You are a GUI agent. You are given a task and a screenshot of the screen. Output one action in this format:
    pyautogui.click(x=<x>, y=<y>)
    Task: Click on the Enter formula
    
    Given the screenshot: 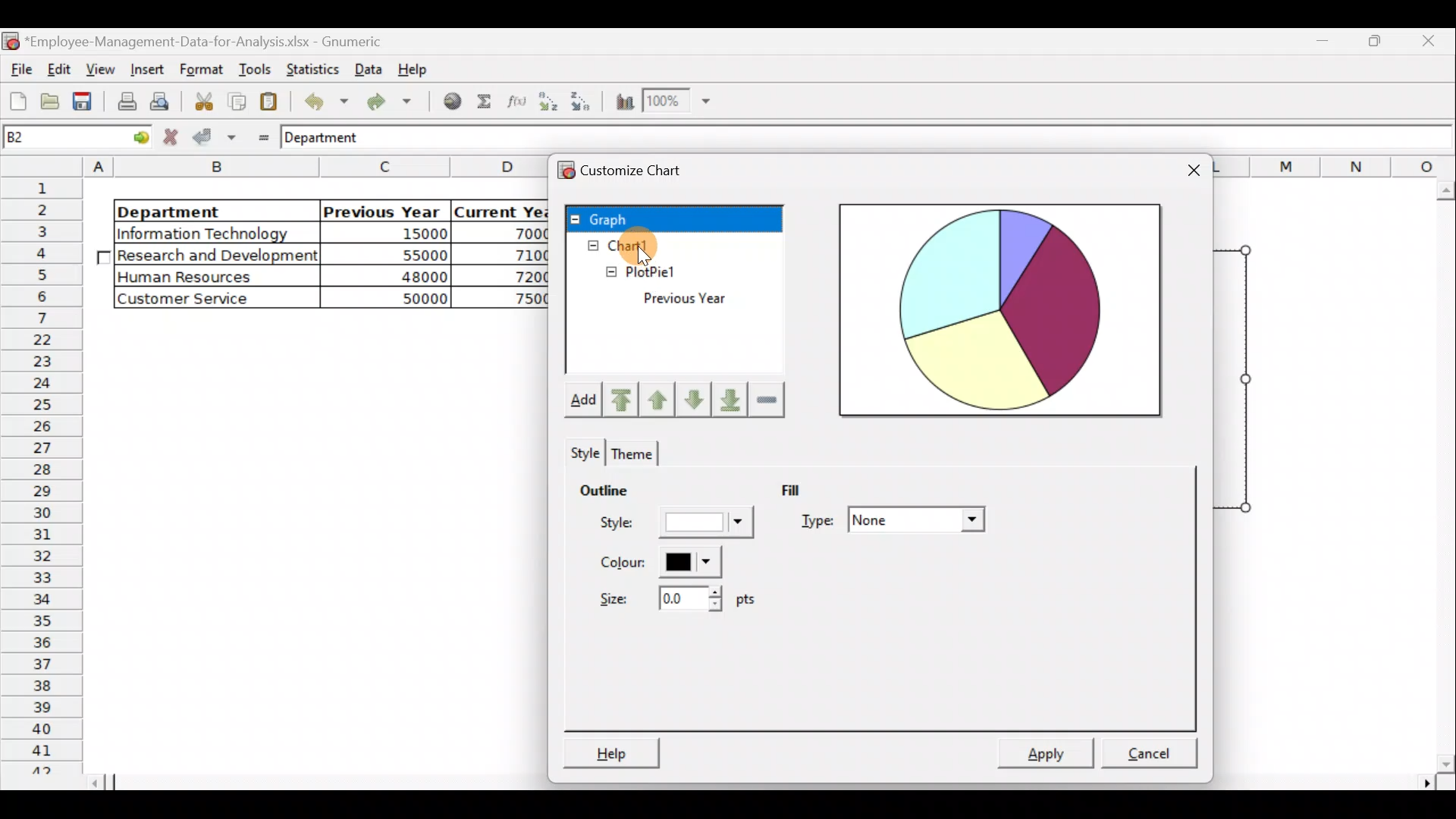 What is the action you would take?
    pyautogui.click(x=259, y=136)
    